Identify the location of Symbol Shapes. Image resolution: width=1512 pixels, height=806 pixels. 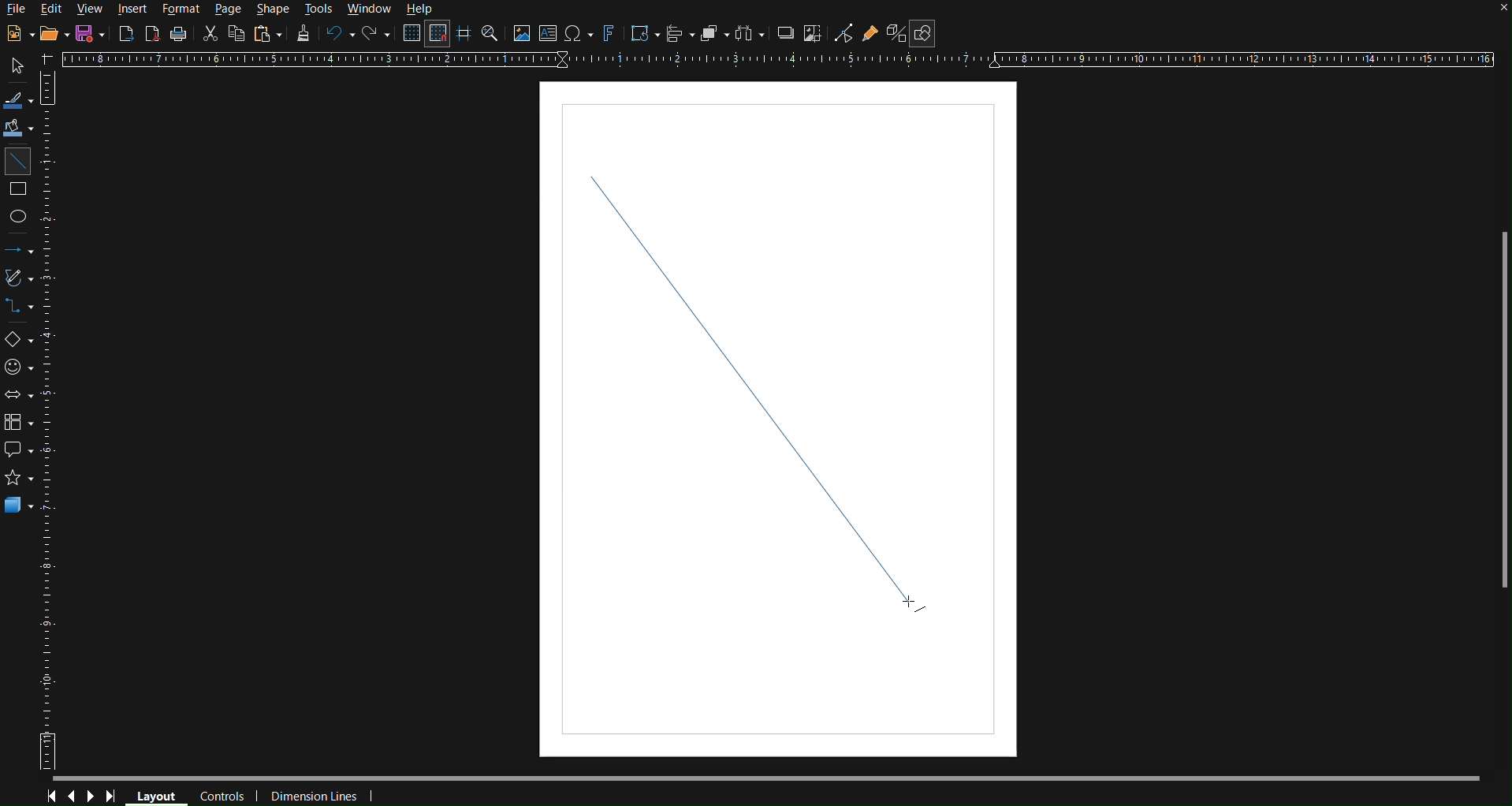
(18, 367).